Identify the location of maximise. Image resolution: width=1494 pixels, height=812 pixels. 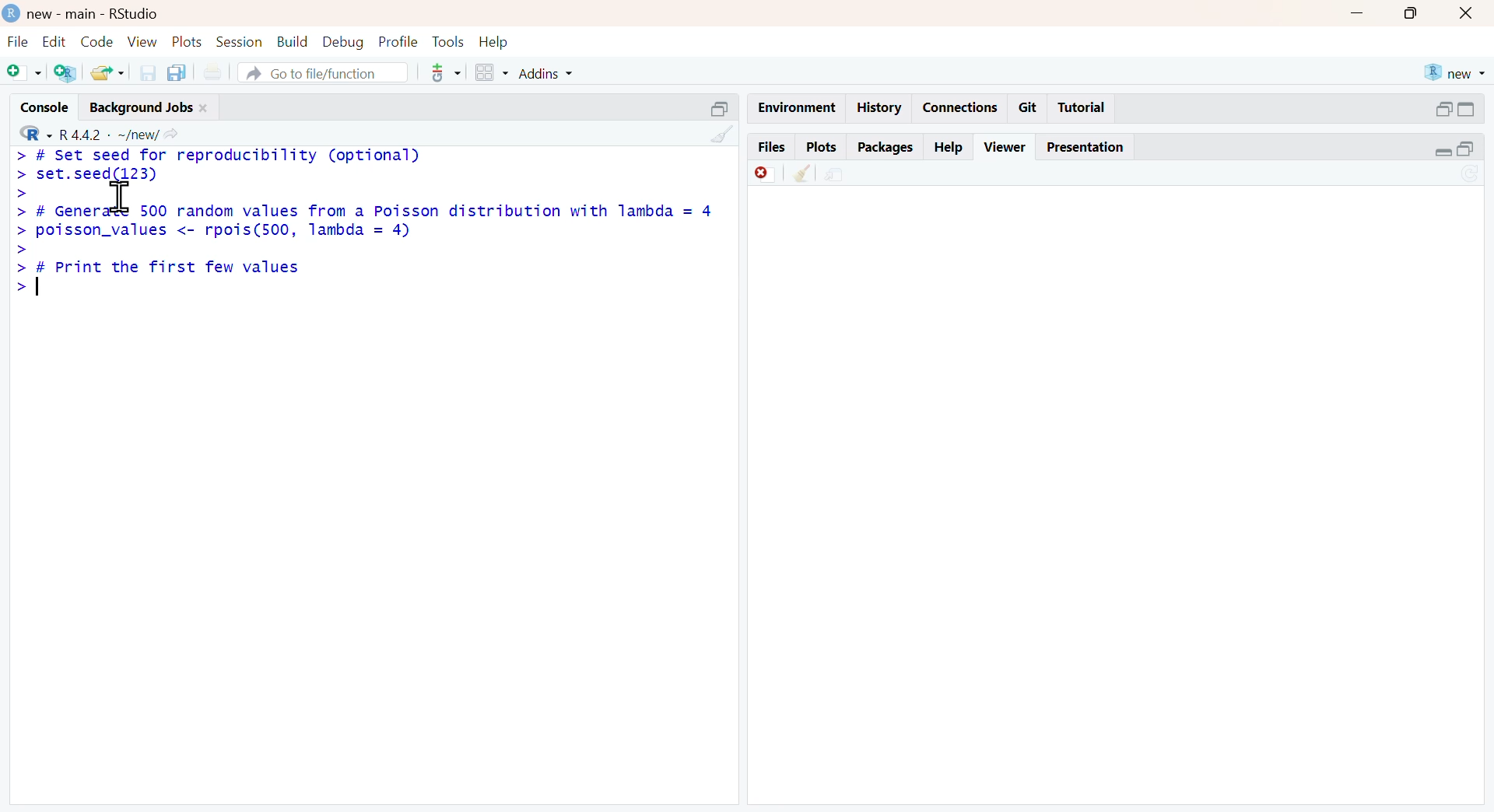
(1412, 12).